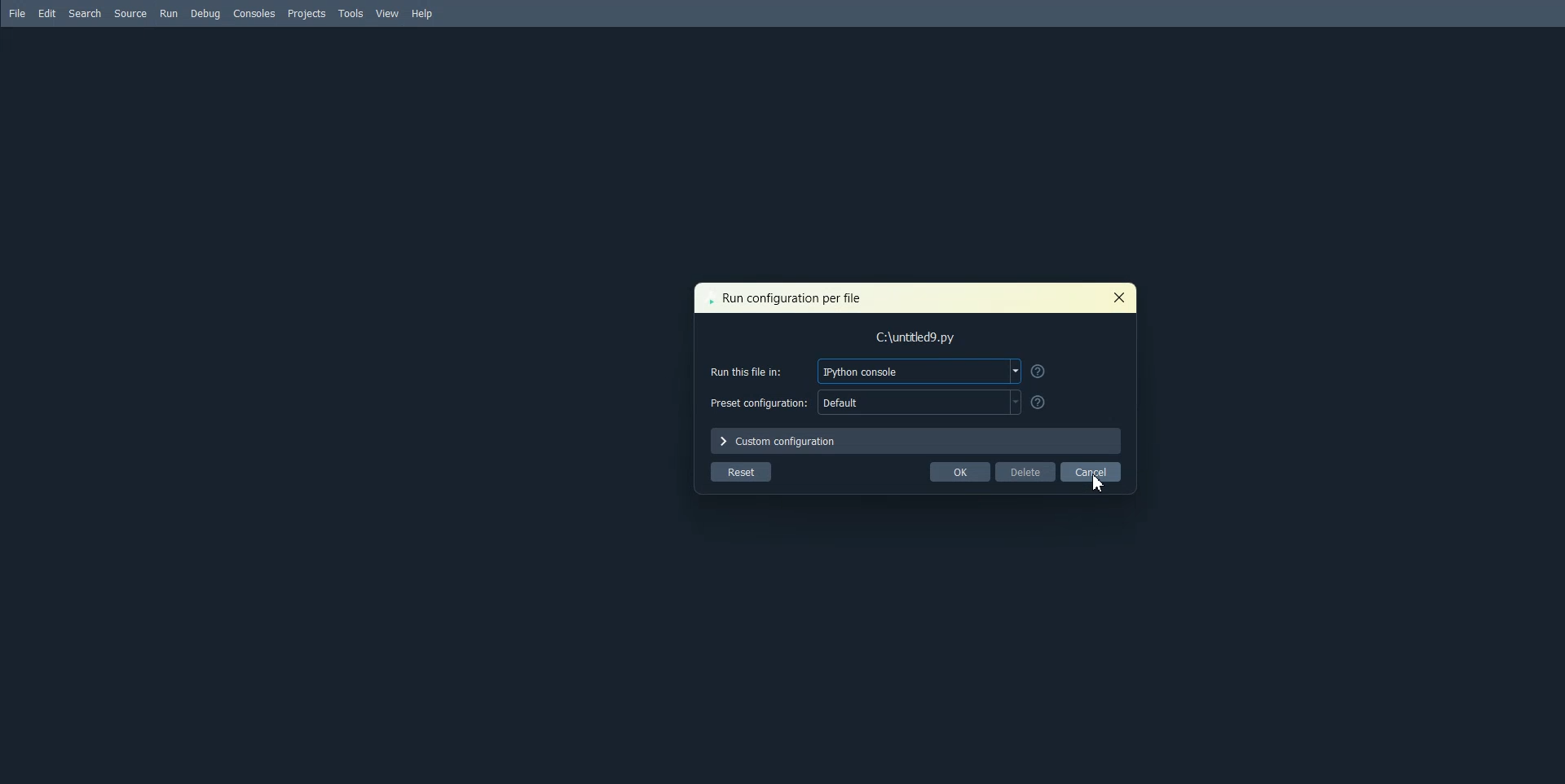  Describe the element at coordinates (785, 300) in the screenshot. I see `Run Configuration per file` at that location.